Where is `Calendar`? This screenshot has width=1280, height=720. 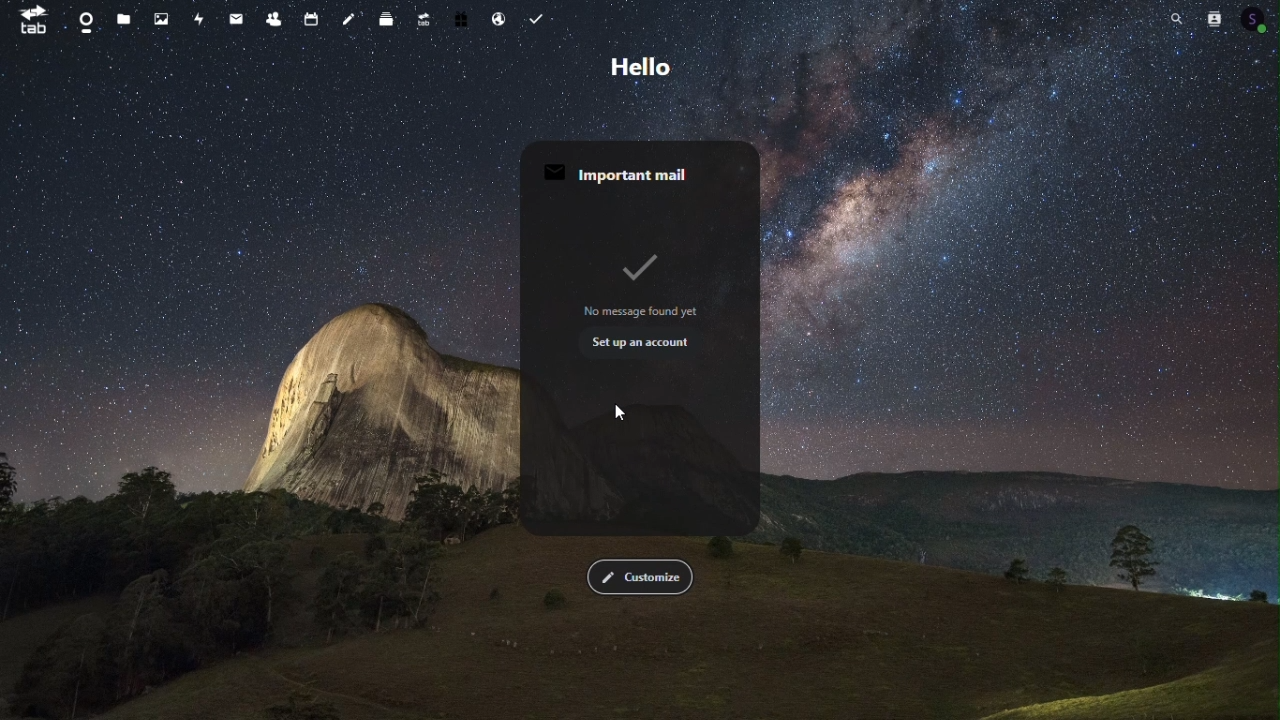 Calendar is located at coordinates (308, 18).